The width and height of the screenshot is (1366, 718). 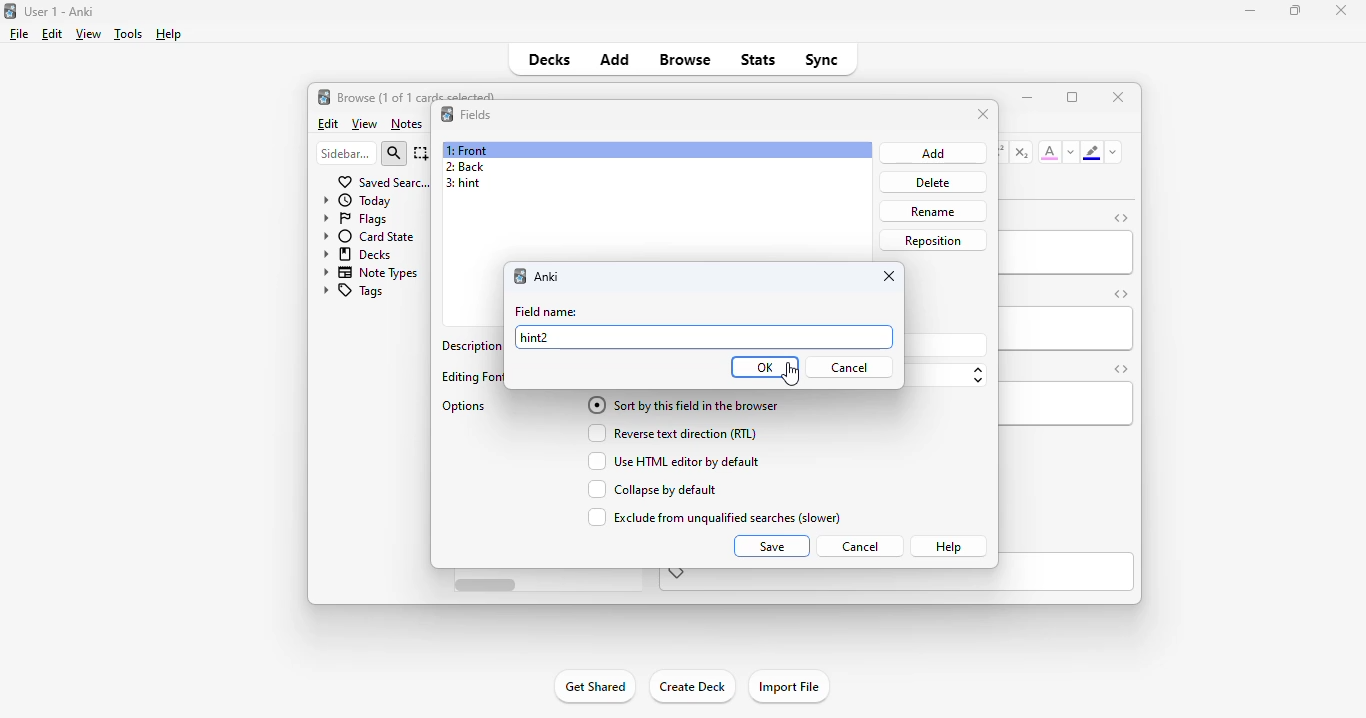 What do you see at coordinates (471, 344) in the screenshot?
I see `description` at bounding box center [471, 344].